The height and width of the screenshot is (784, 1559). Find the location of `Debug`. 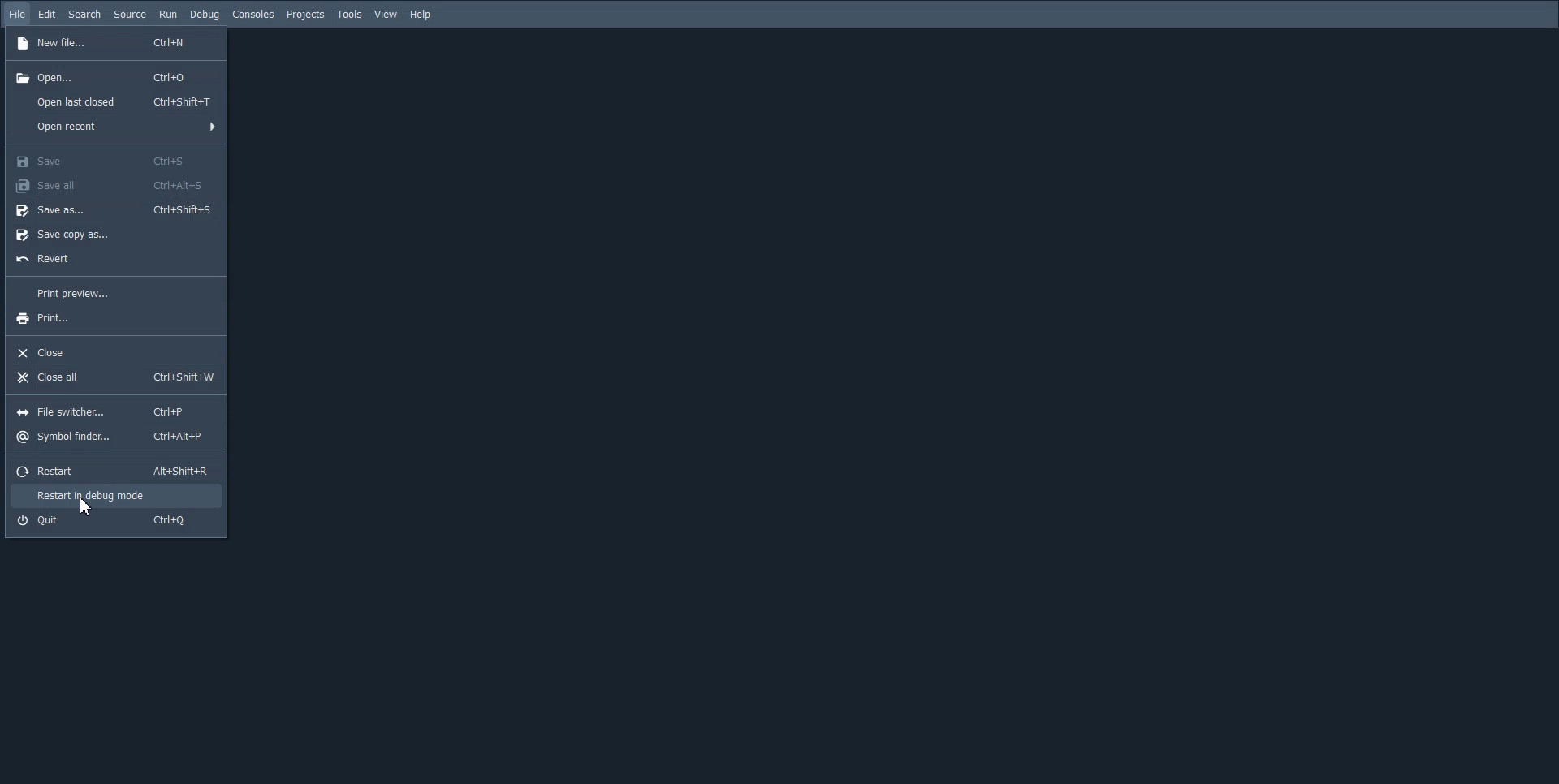

Debug is located at coordinates (204, 15).